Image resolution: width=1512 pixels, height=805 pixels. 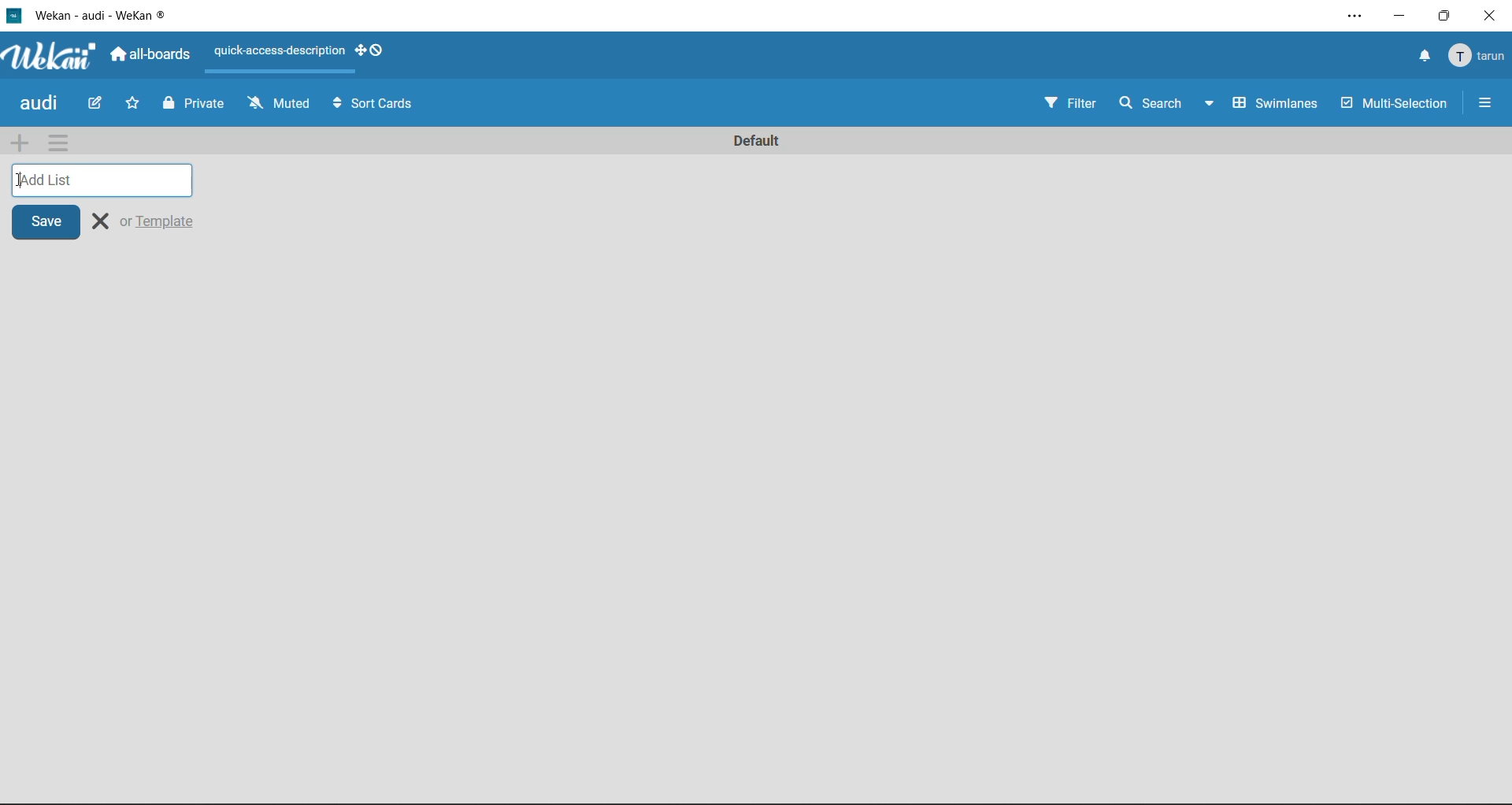 I want to click on app logo Wekan, so click(x=47, y=57).